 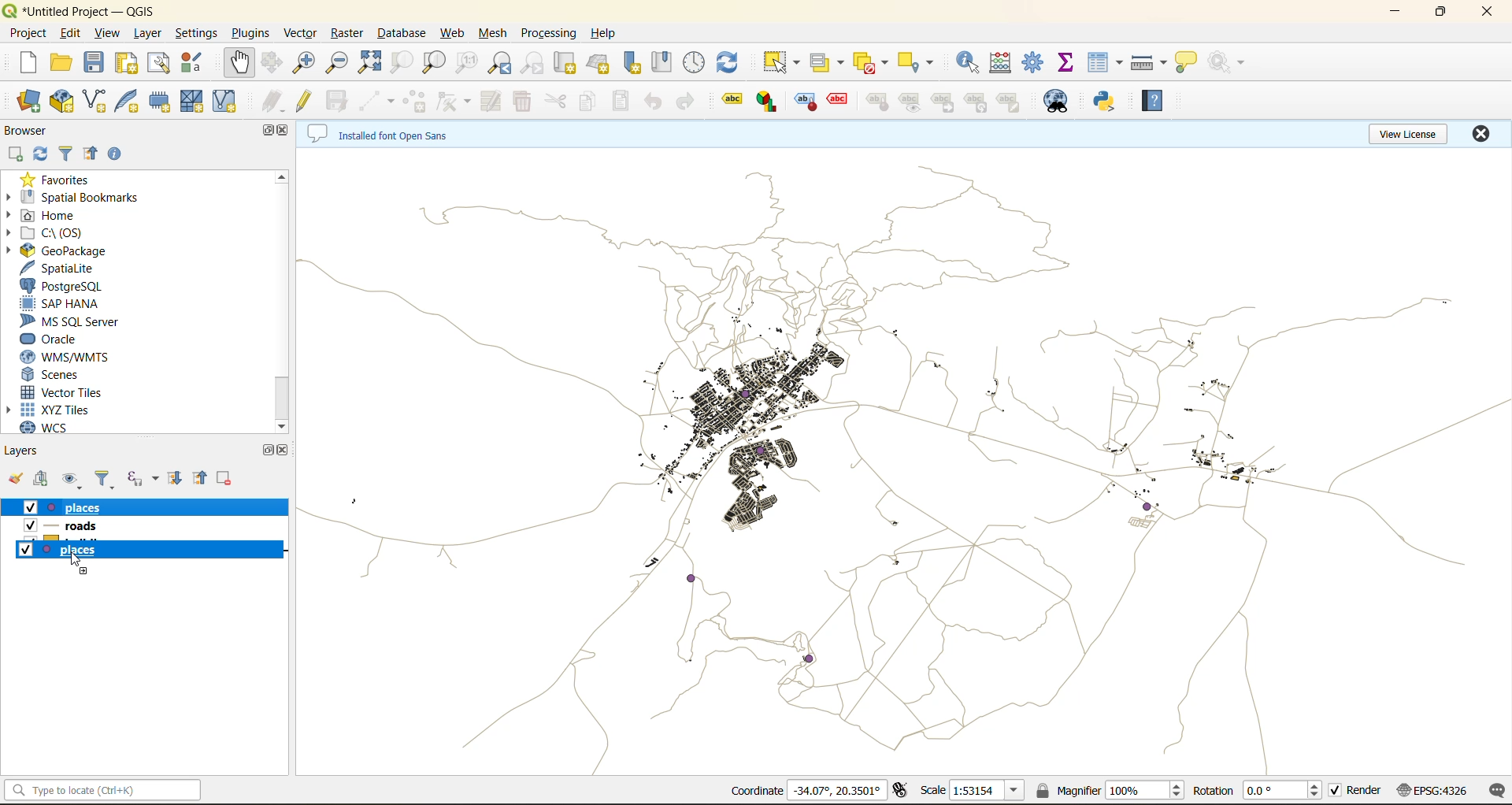 I want to click on statistical summary, so click(x=1069, y=65).